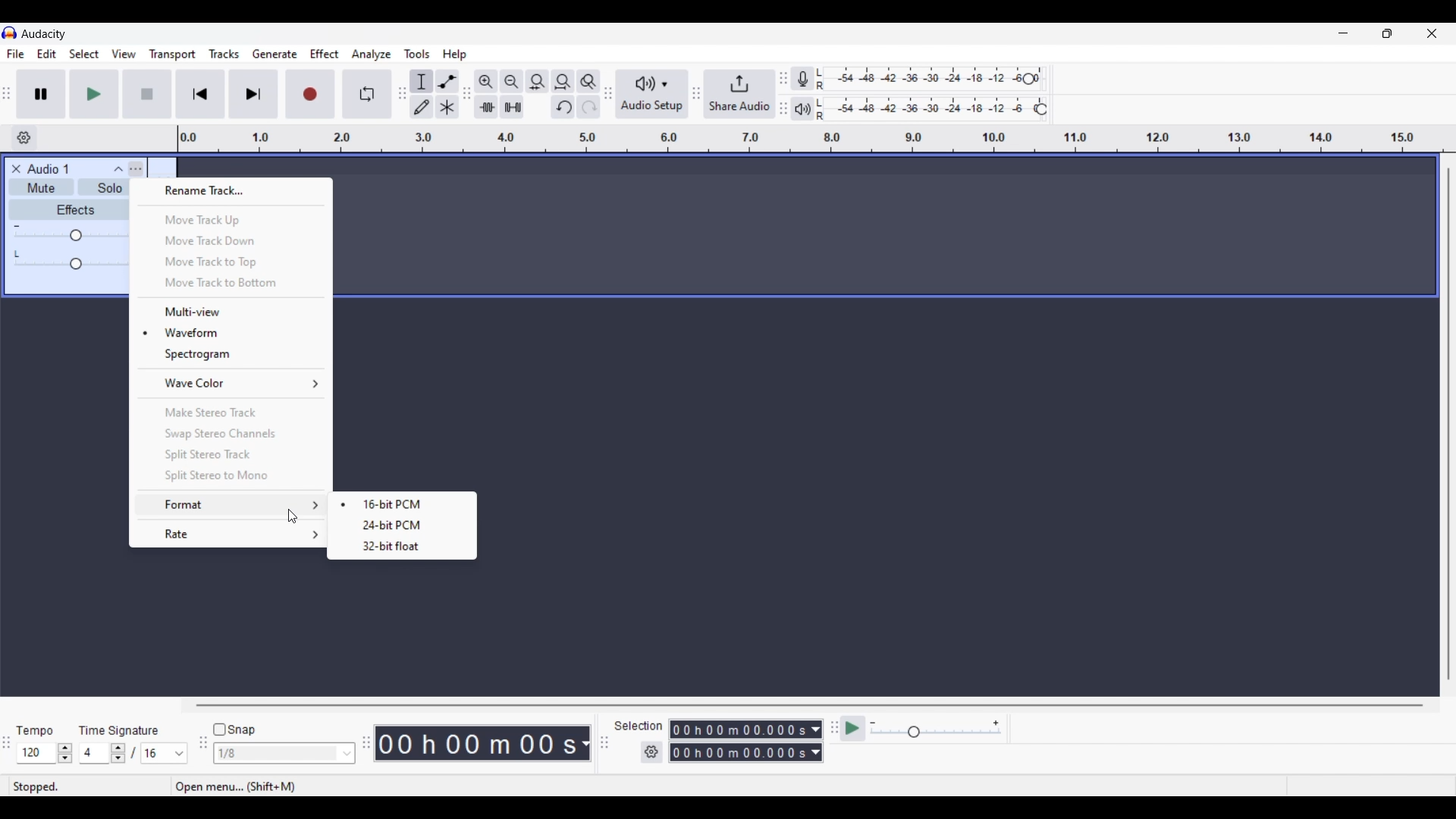 The width and height of the screenshot is (1456, 819). Describe the element at coordinates (739, 94) in the screenshot. I see `Share audio` at that location.